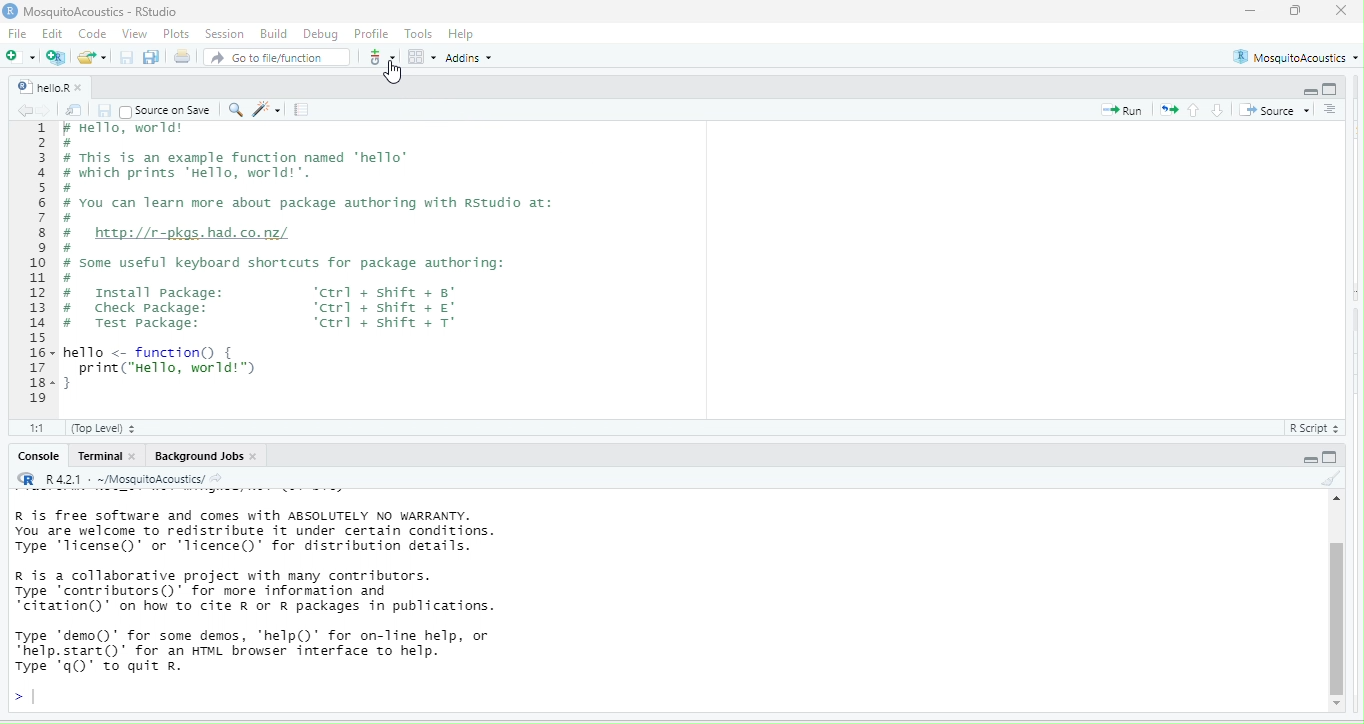  What do you see at coordinates (421, 56) in the screenshot?
I see `option` at bounding box center [421, 56].